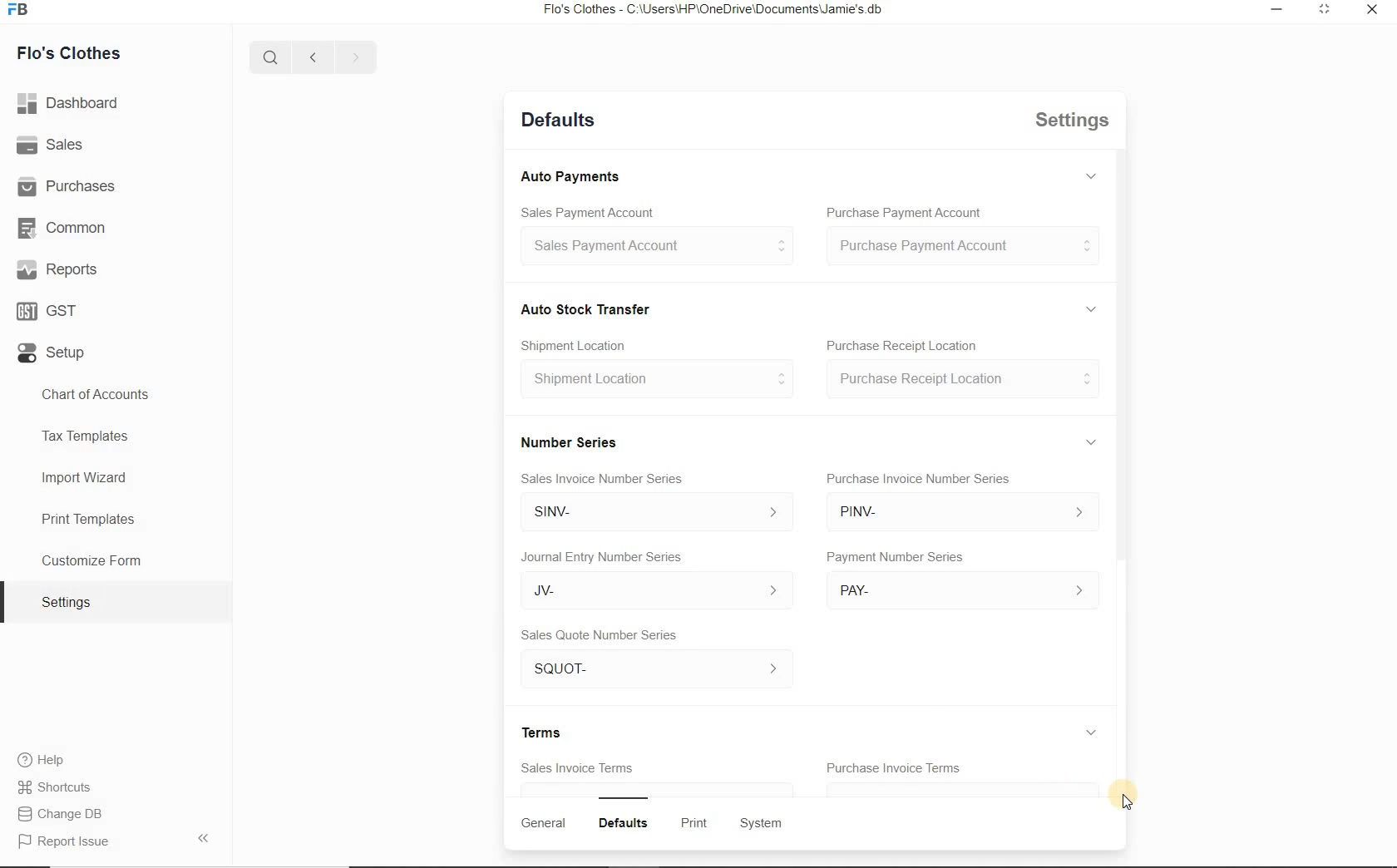 This screenshot has height=868, width=1397. Describe the element at coordinates (576, 345) in the screenshot. I see `Shipment Location` at that location.